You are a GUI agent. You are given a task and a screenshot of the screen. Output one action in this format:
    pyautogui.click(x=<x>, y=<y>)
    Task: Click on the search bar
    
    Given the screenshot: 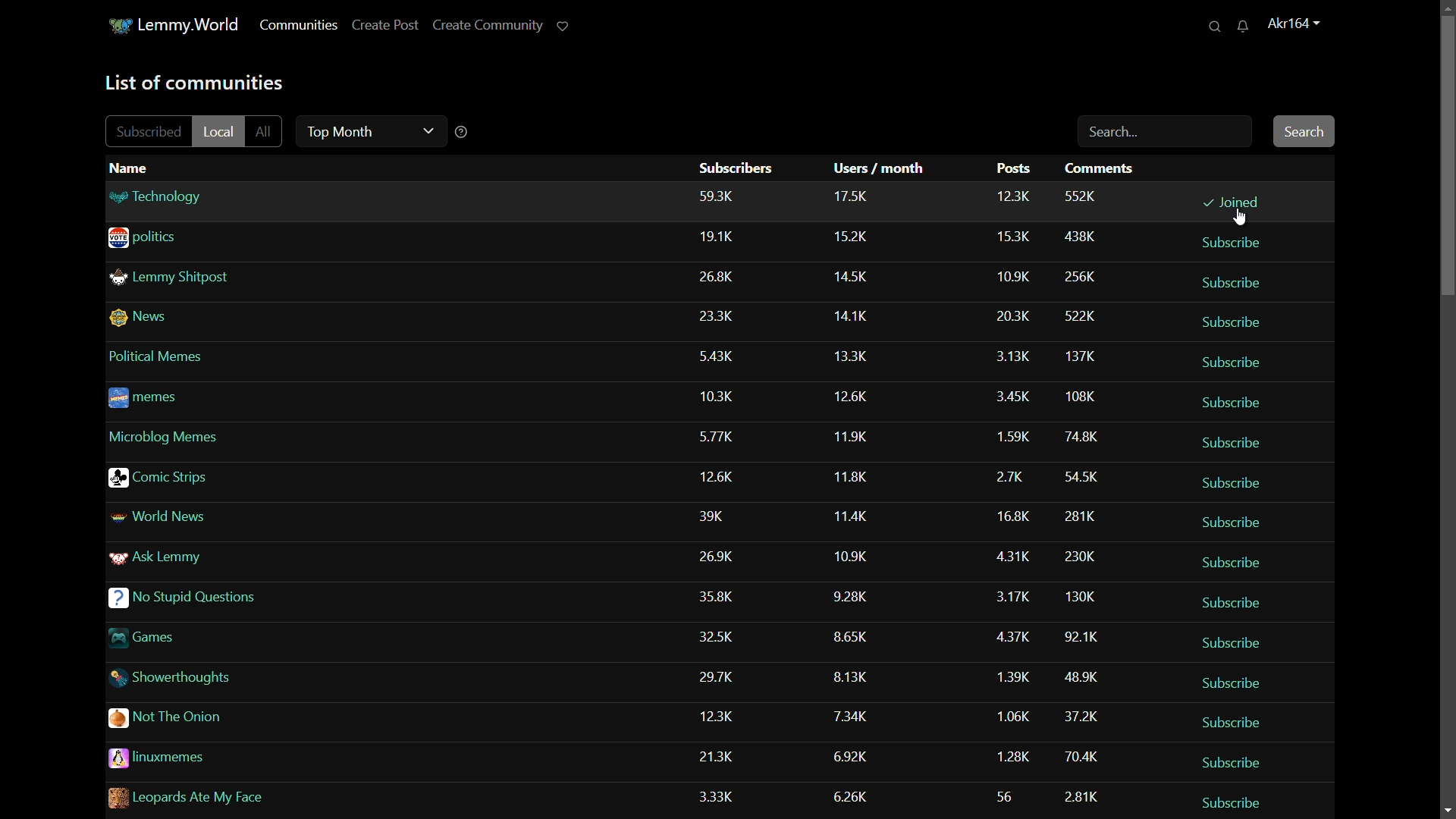 What is the action you would take?
    pyautogui.click(x=1166, y=133)
    